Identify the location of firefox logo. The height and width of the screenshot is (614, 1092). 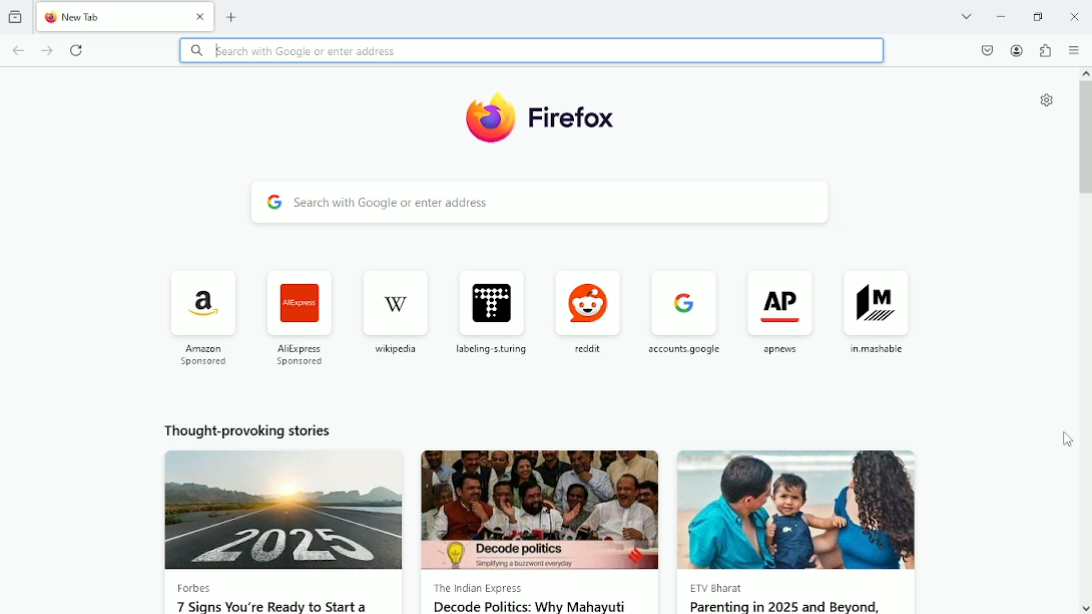
(50, 19).